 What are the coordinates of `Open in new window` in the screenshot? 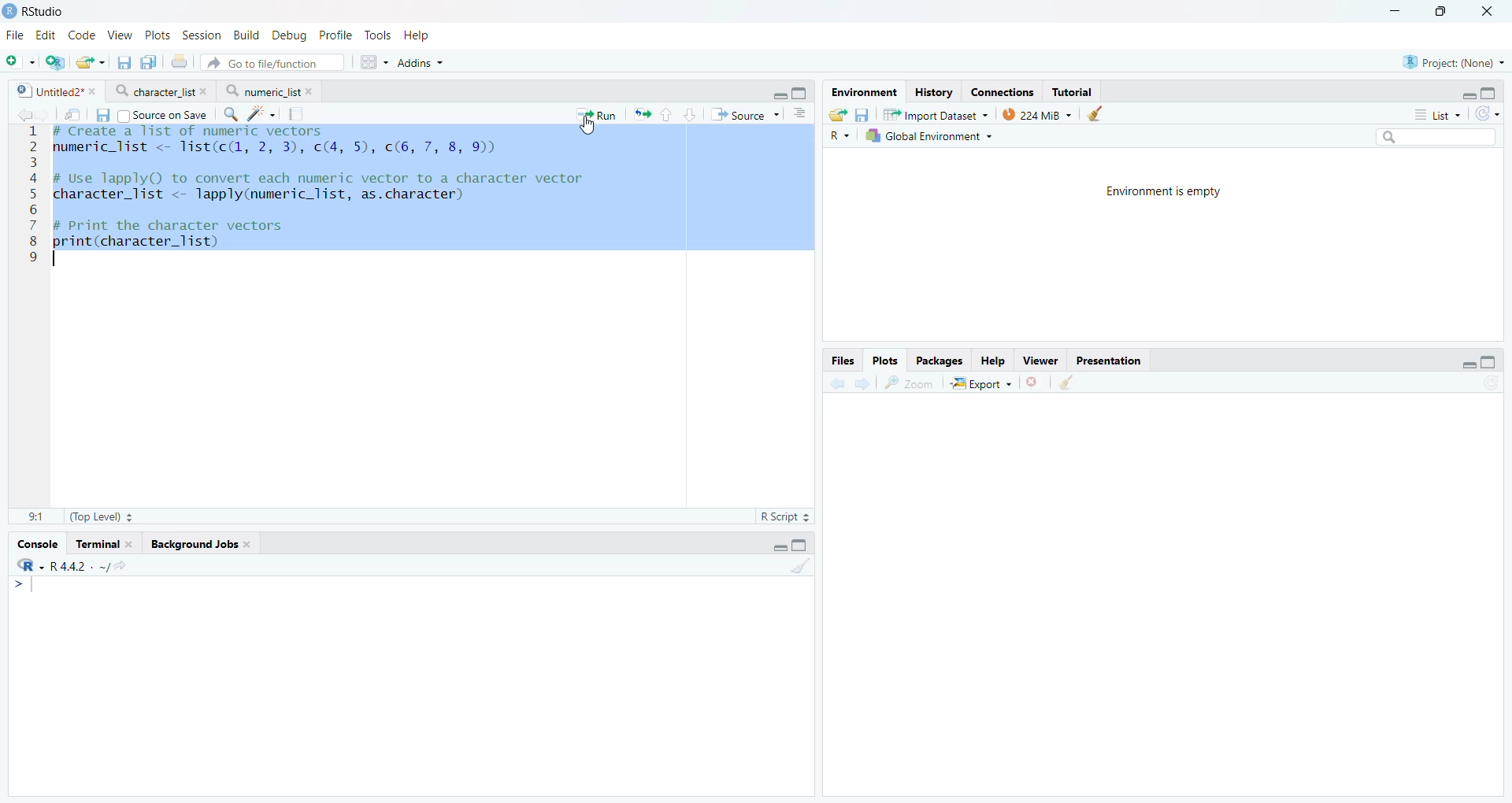 It's located at (71, 113).